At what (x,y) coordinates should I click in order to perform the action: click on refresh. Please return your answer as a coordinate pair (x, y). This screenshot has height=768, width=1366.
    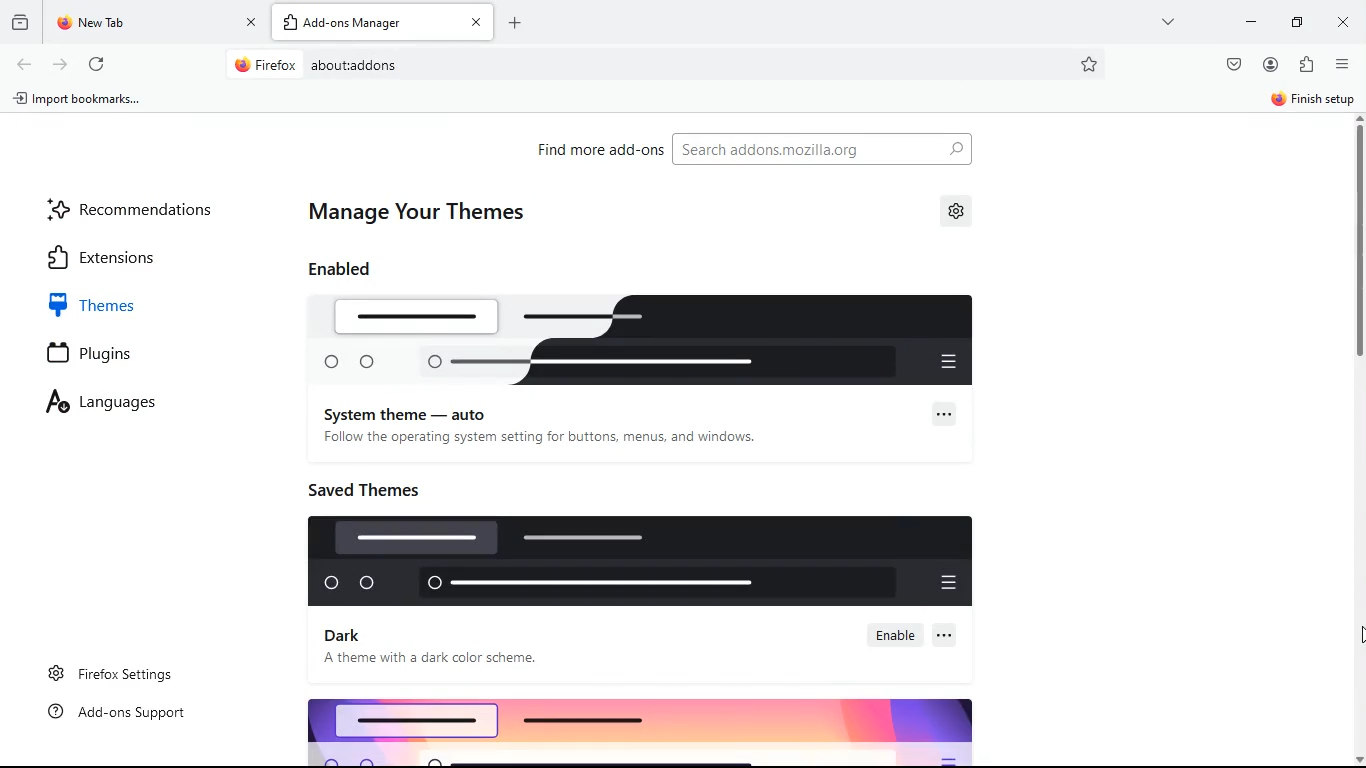
    Looking at the image, I should click on (98, 66).